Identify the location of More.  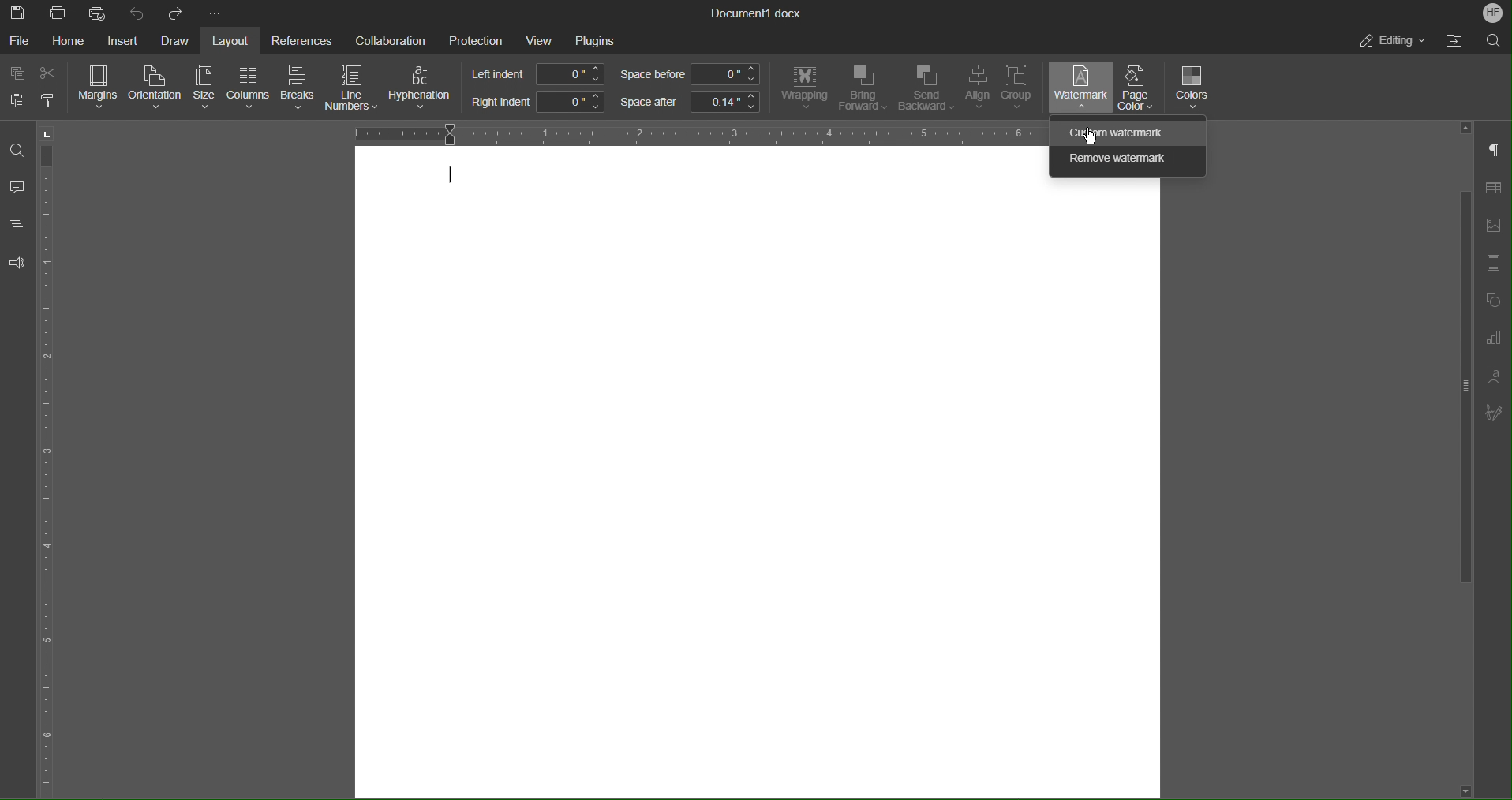
(217, 14).